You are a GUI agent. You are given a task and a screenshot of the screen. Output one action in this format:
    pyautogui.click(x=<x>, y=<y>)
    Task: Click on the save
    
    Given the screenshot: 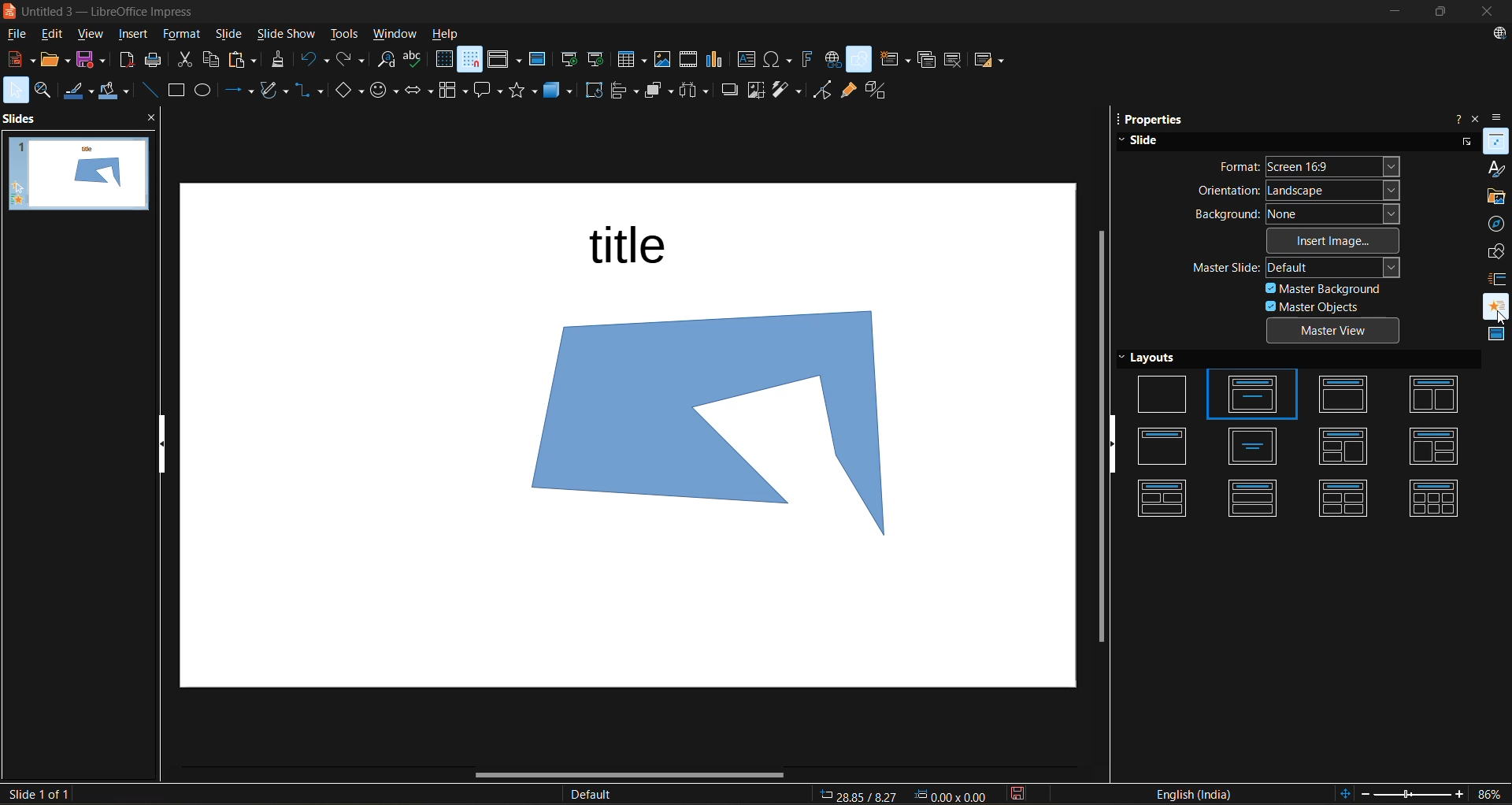 What is the action you would take?
    pyautogui.click(x=92, y=60)
    